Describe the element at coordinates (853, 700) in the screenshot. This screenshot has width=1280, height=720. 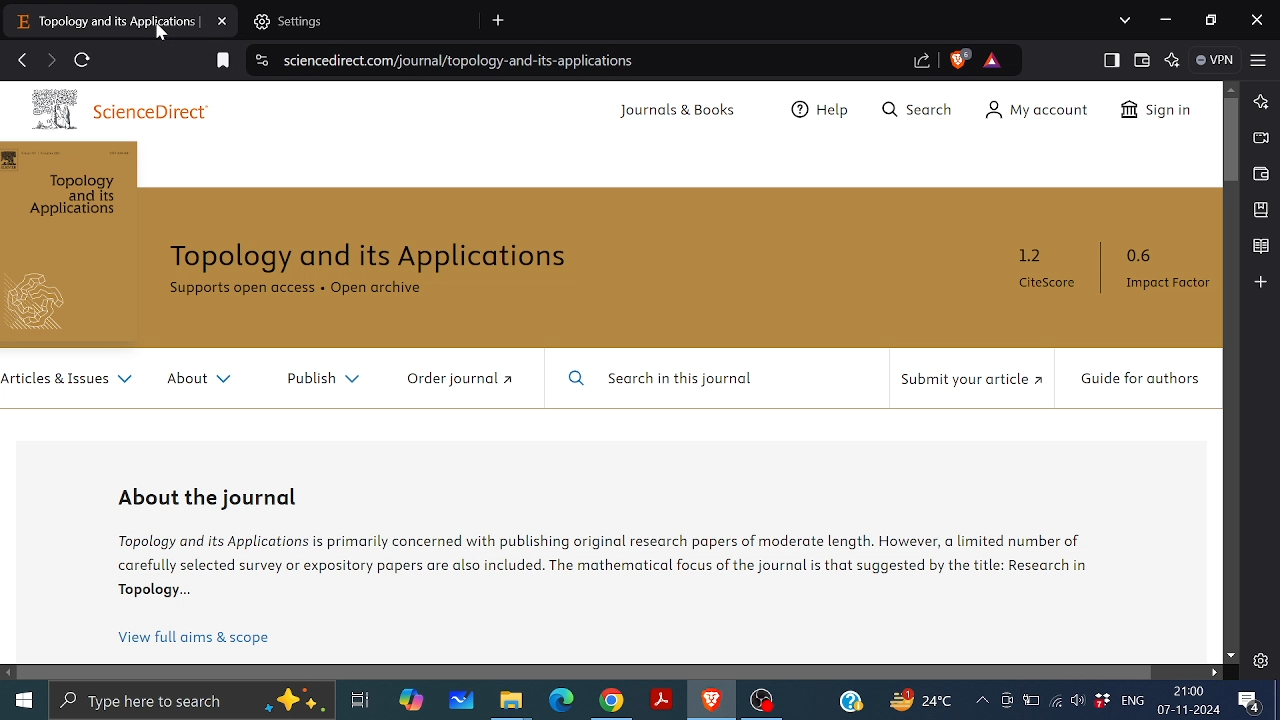
I see `Help` at that location.